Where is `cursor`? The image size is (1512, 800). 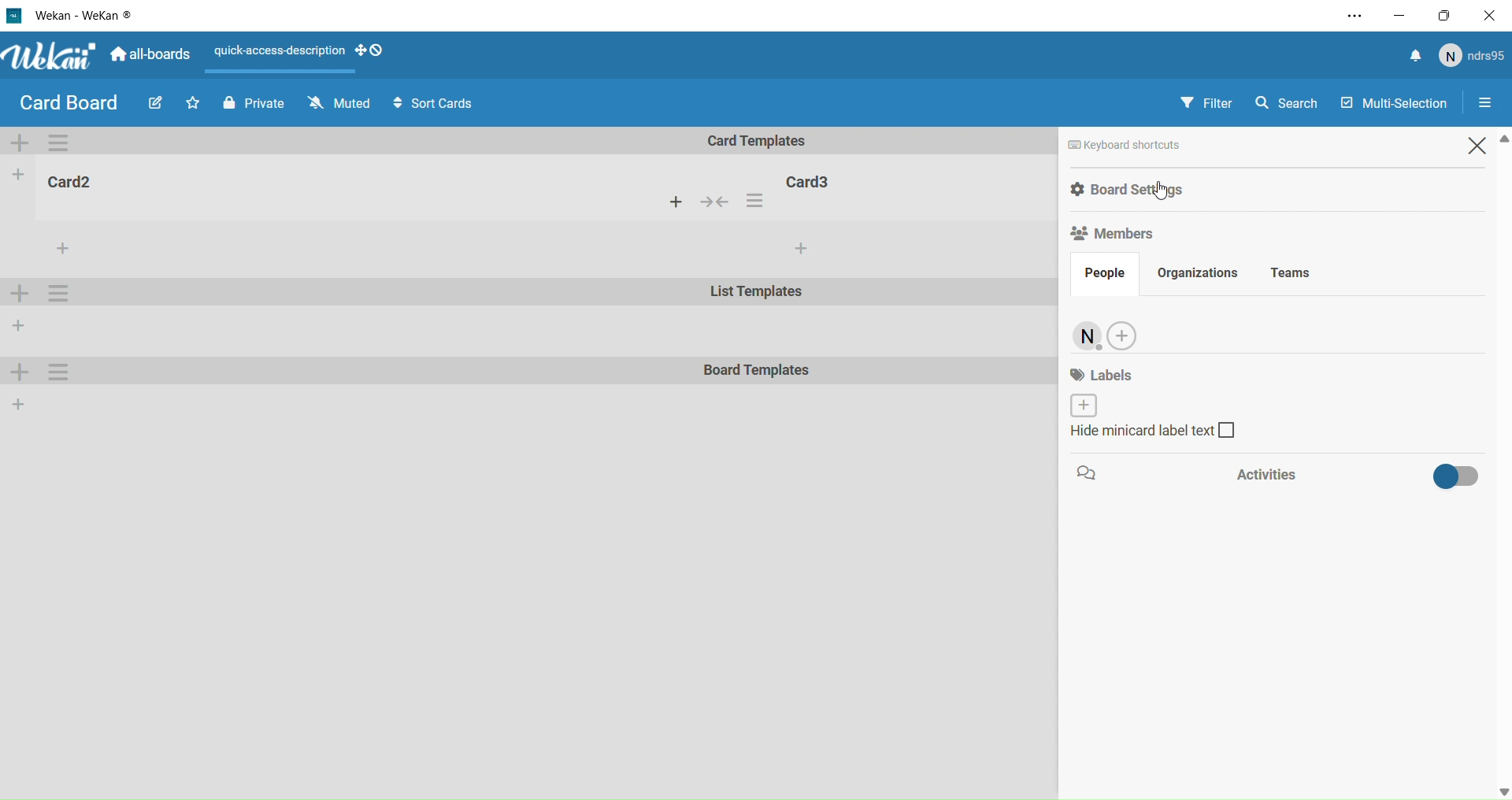 cursor is located at coordinates (1161, 193).